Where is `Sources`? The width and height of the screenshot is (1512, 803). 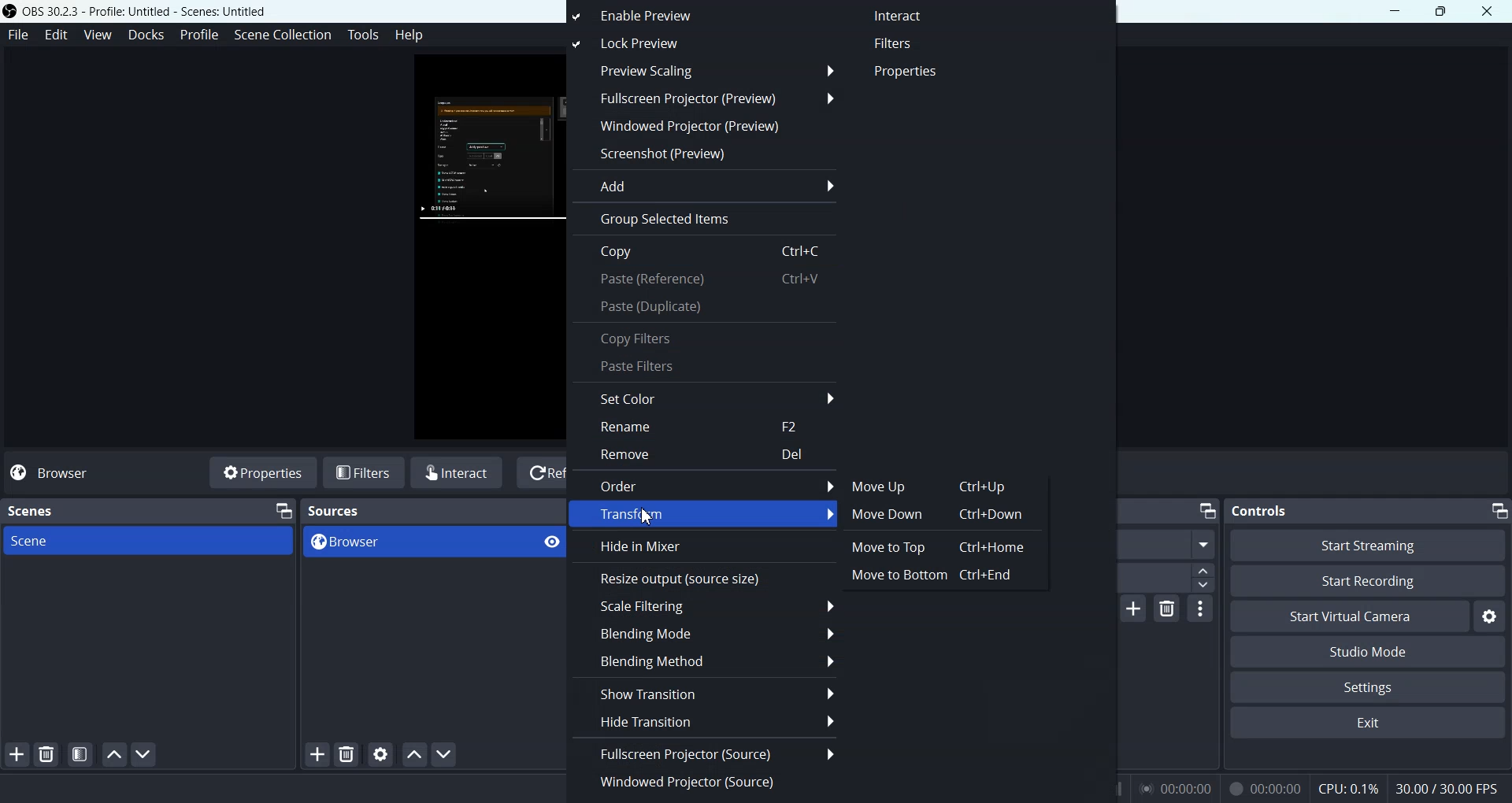
Sources is located at coordinates (335, 511).